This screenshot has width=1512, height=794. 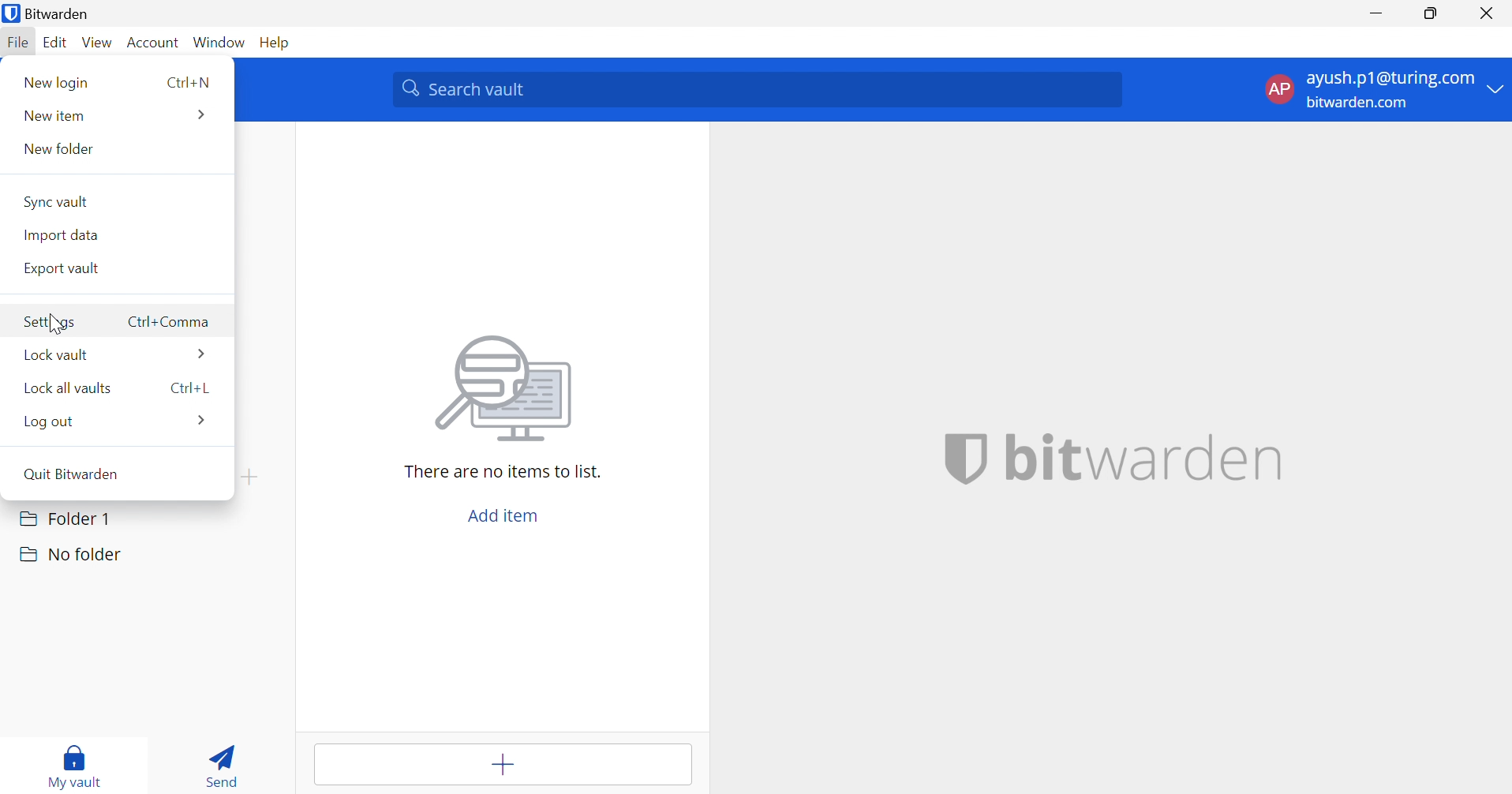 I want to click on Send, so click(x=227, y=764).